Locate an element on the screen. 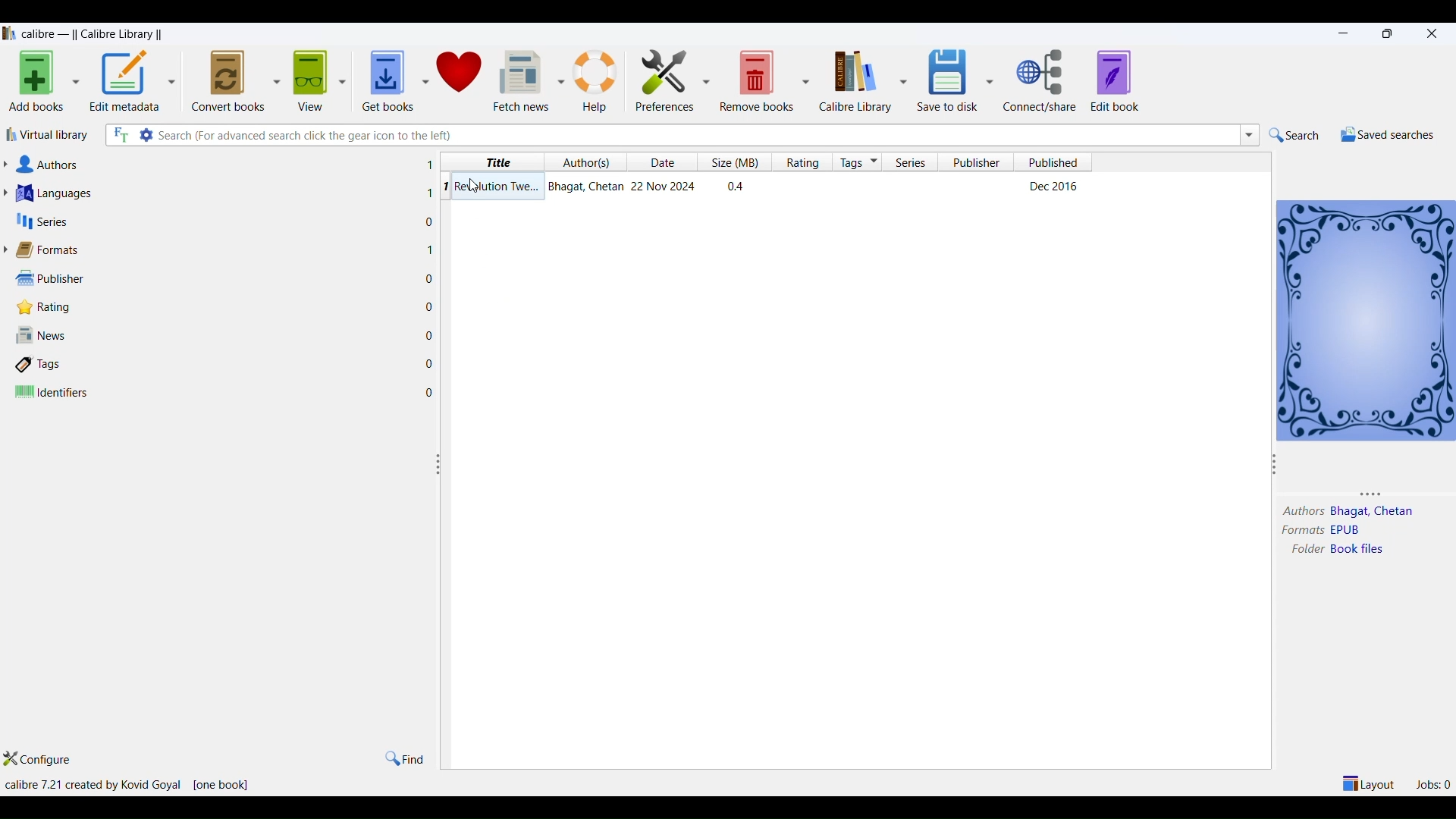 The image size is (1456, 819). application name is located at coordinates (93, 32).